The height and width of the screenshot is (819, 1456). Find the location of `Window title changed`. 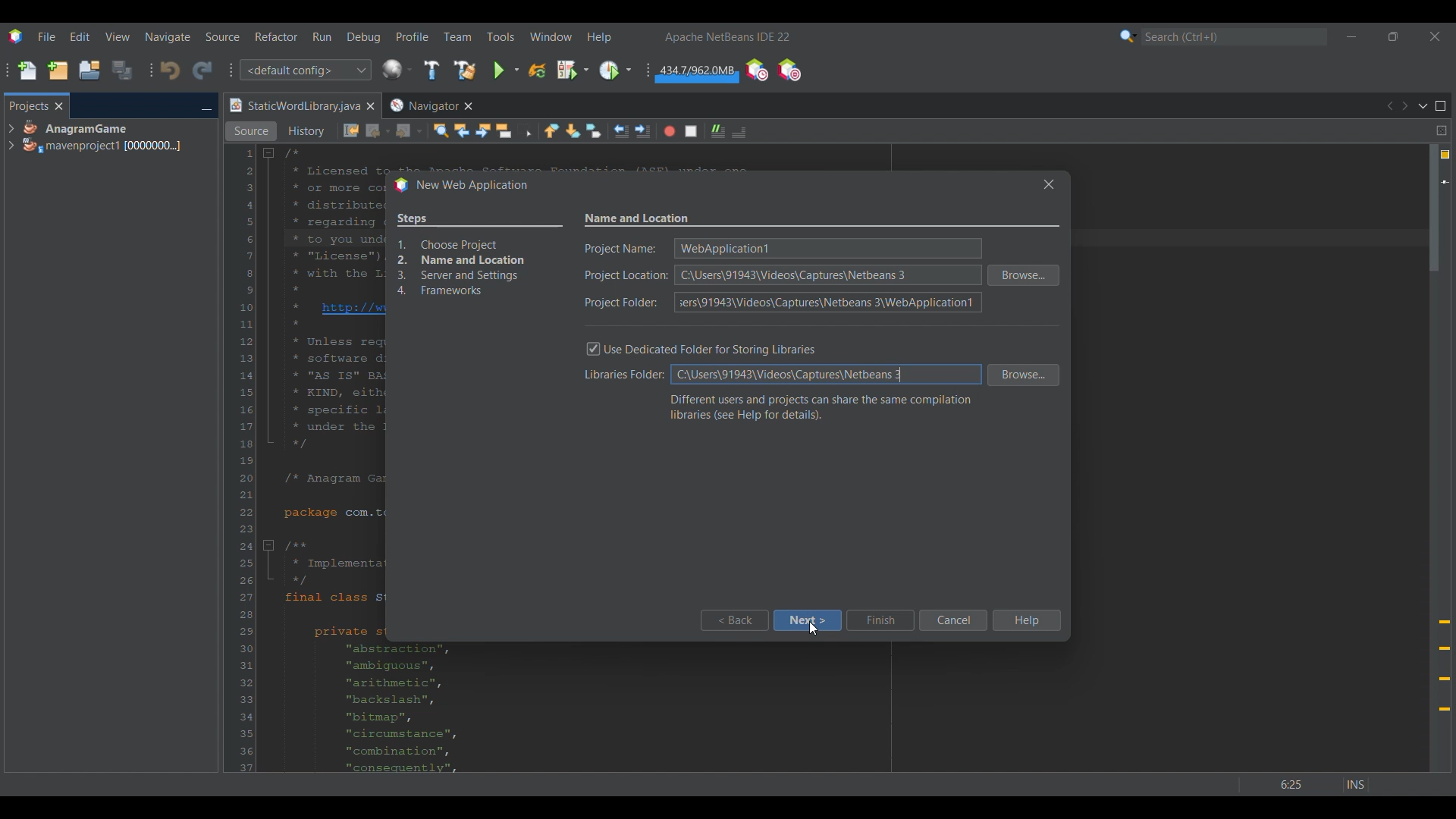

Window title changed is located at coordinates (460, 186).